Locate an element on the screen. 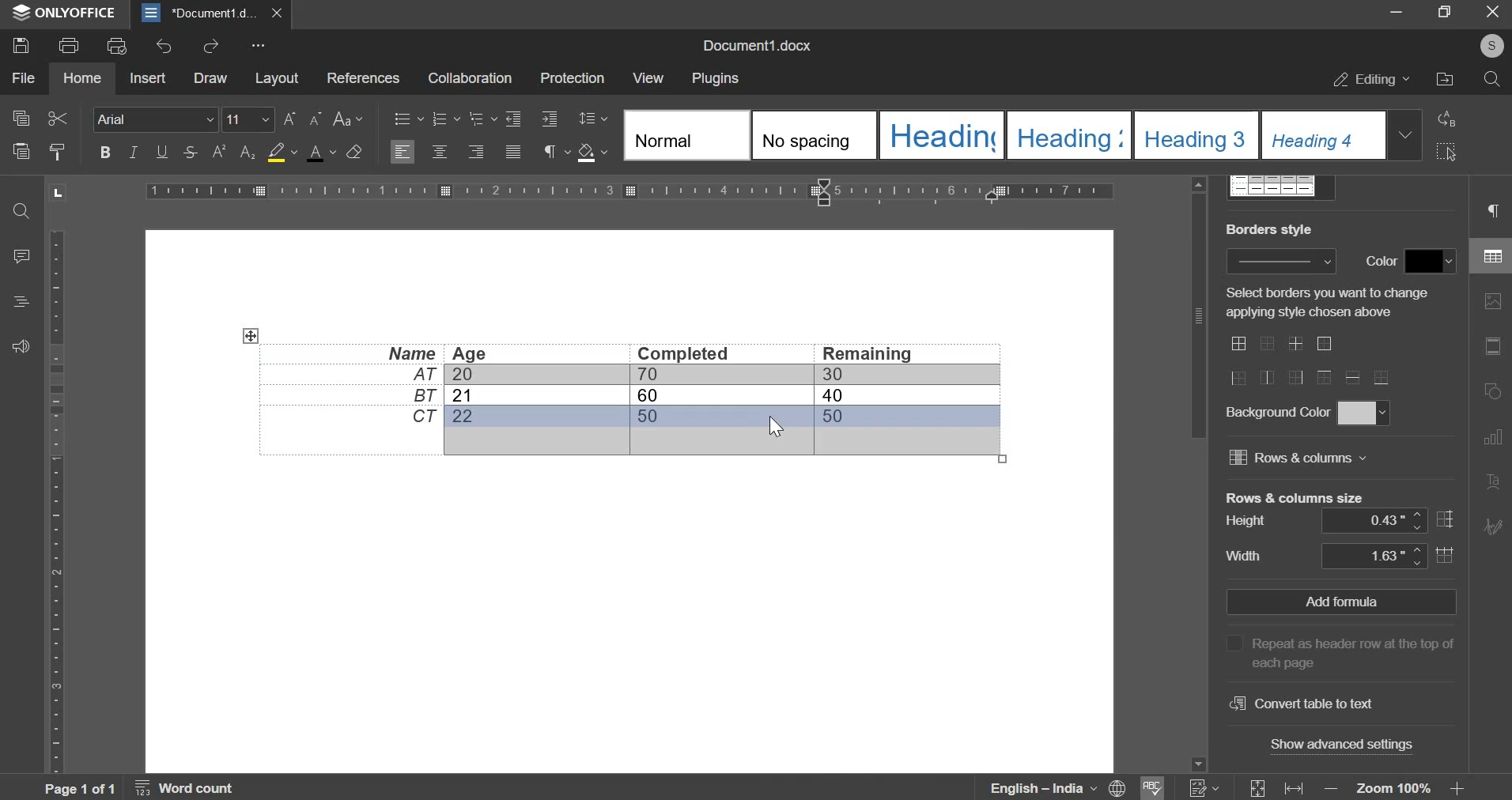 This screenshot has width=1512, height=800. bold is located at coordinates (105, 152).